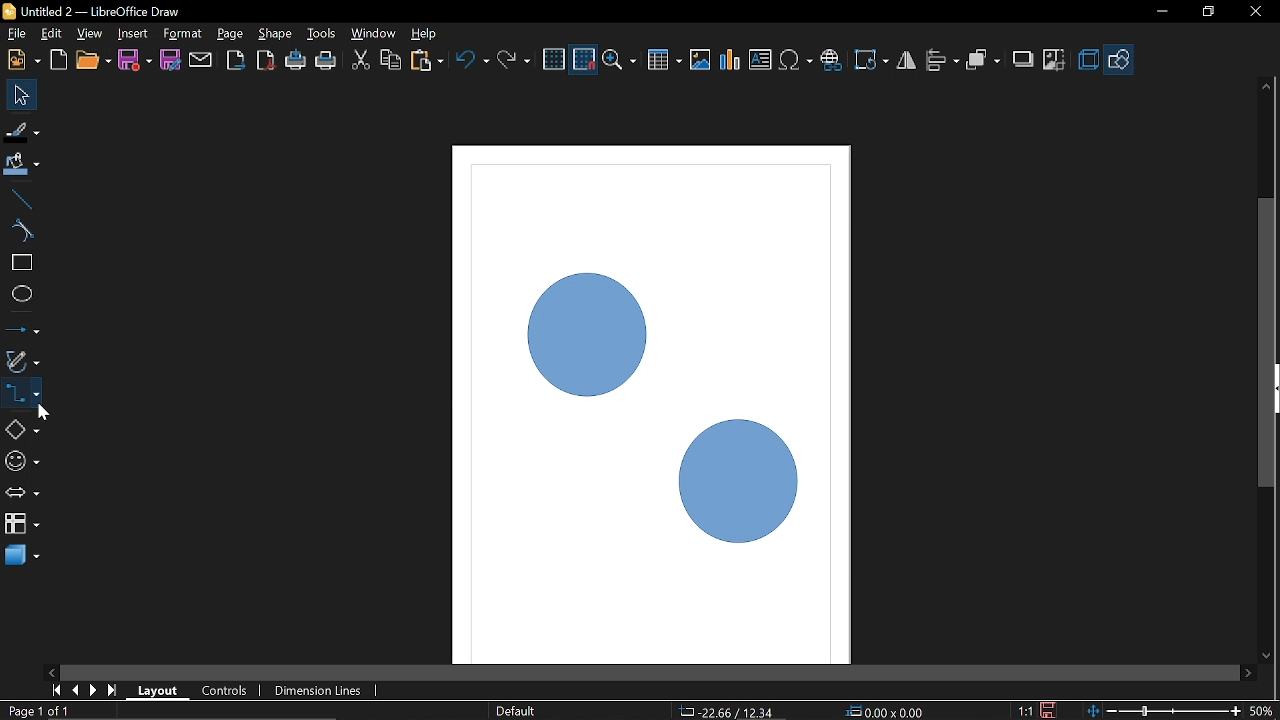 The image size is (1280, 720). Describe the element at coordinates (22, 362) in the screenshot. I see `Curves and polygons` at that location.